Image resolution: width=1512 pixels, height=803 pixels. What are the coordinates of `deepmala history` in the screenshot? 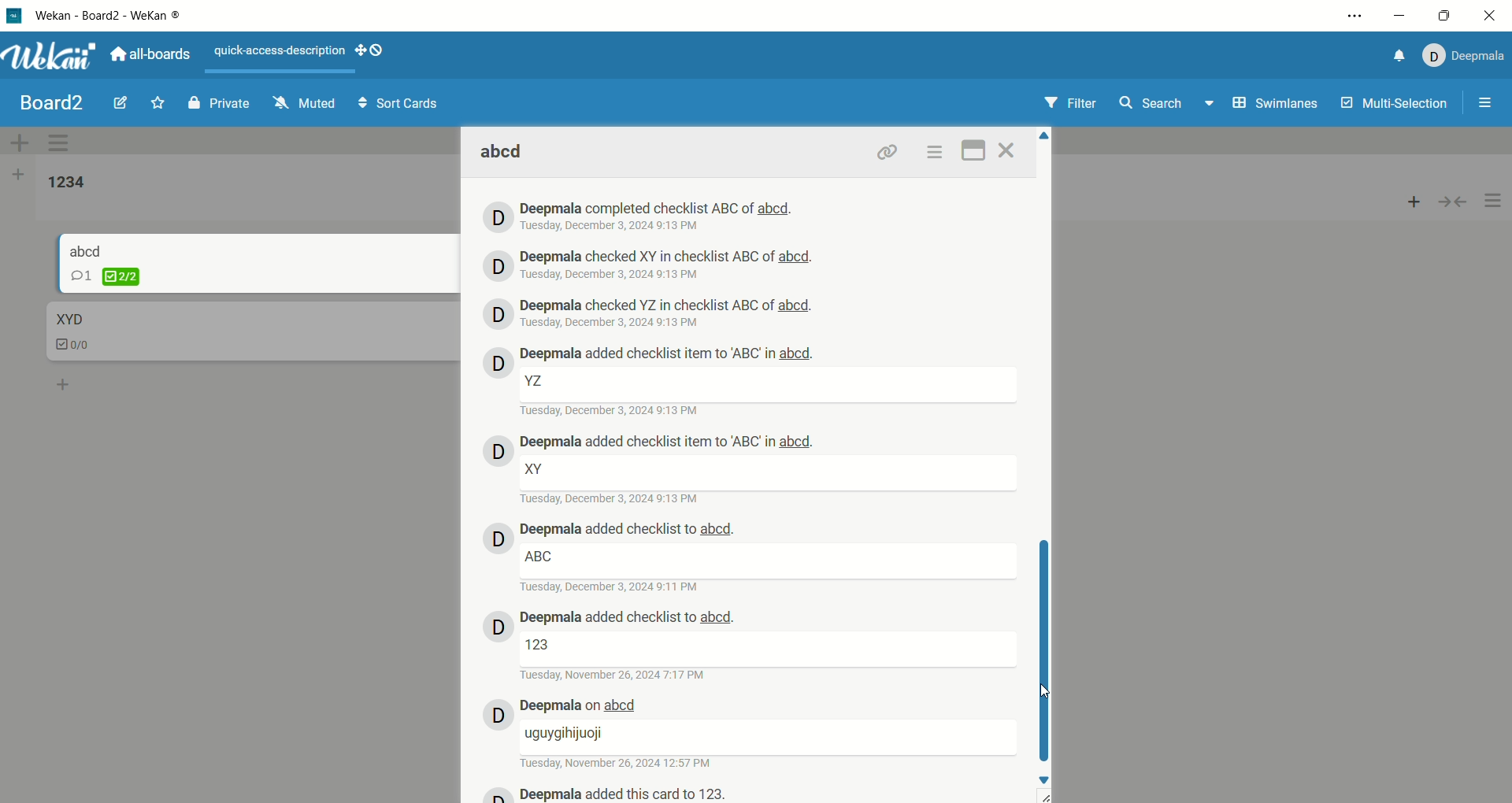 It's located at (625, 794).